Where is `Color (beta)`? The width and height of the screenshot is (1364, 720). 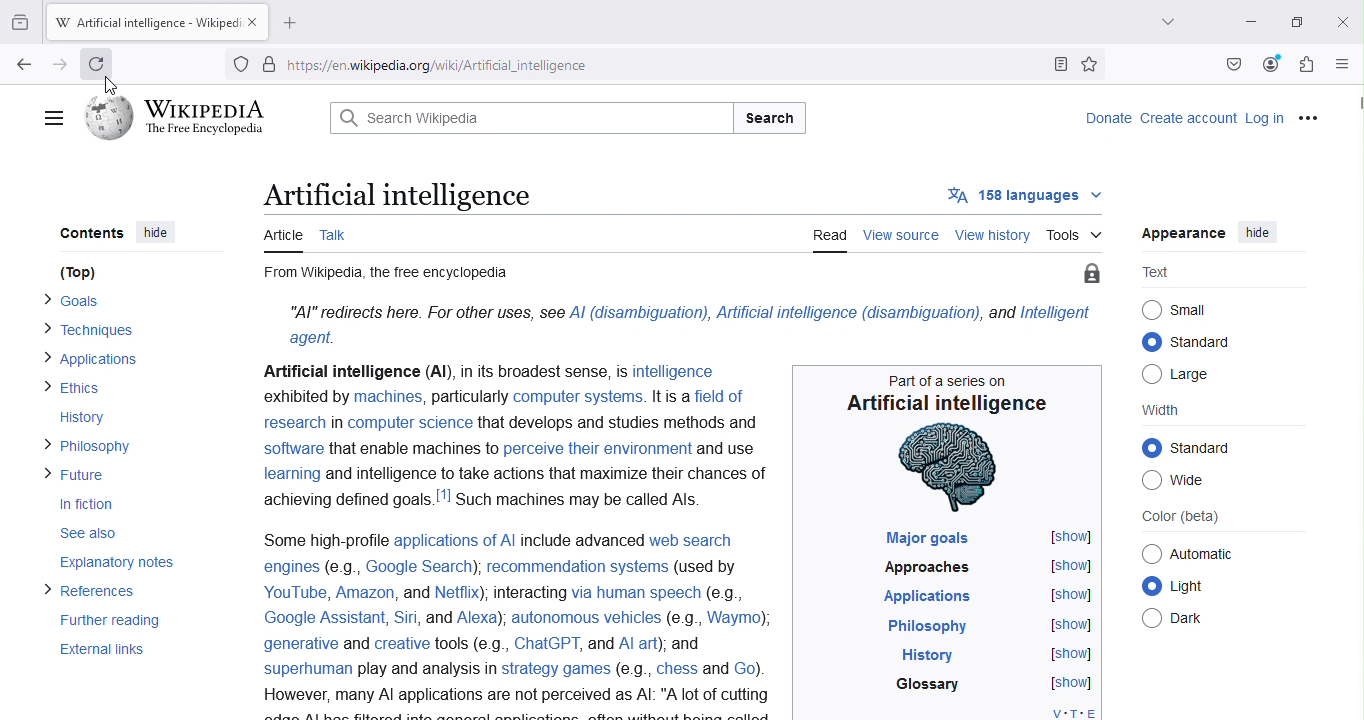 Color (beta) is located at coordinates (1183, 519).